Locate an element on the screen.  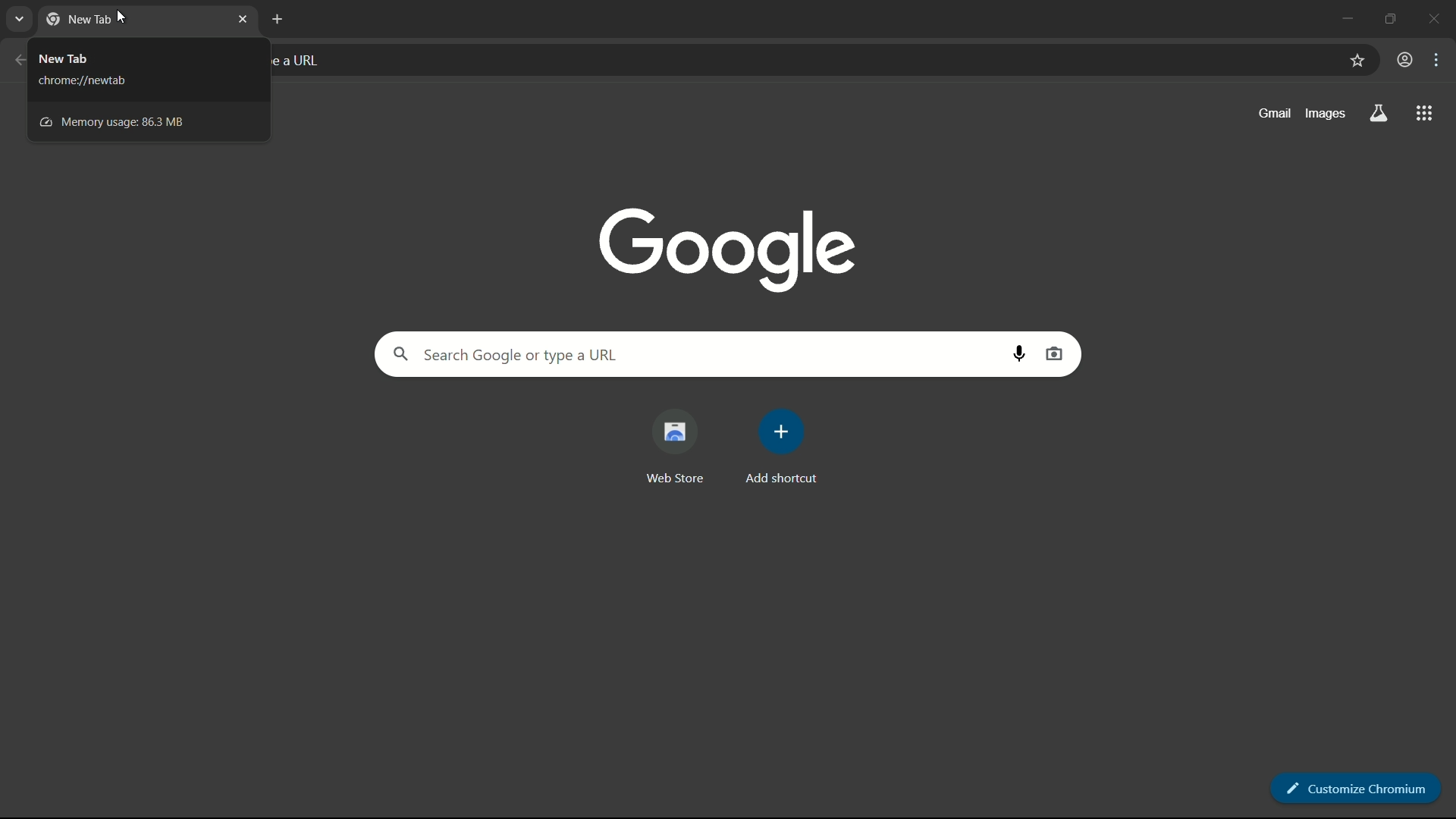
gmail is located at coordinates (1276, 113).